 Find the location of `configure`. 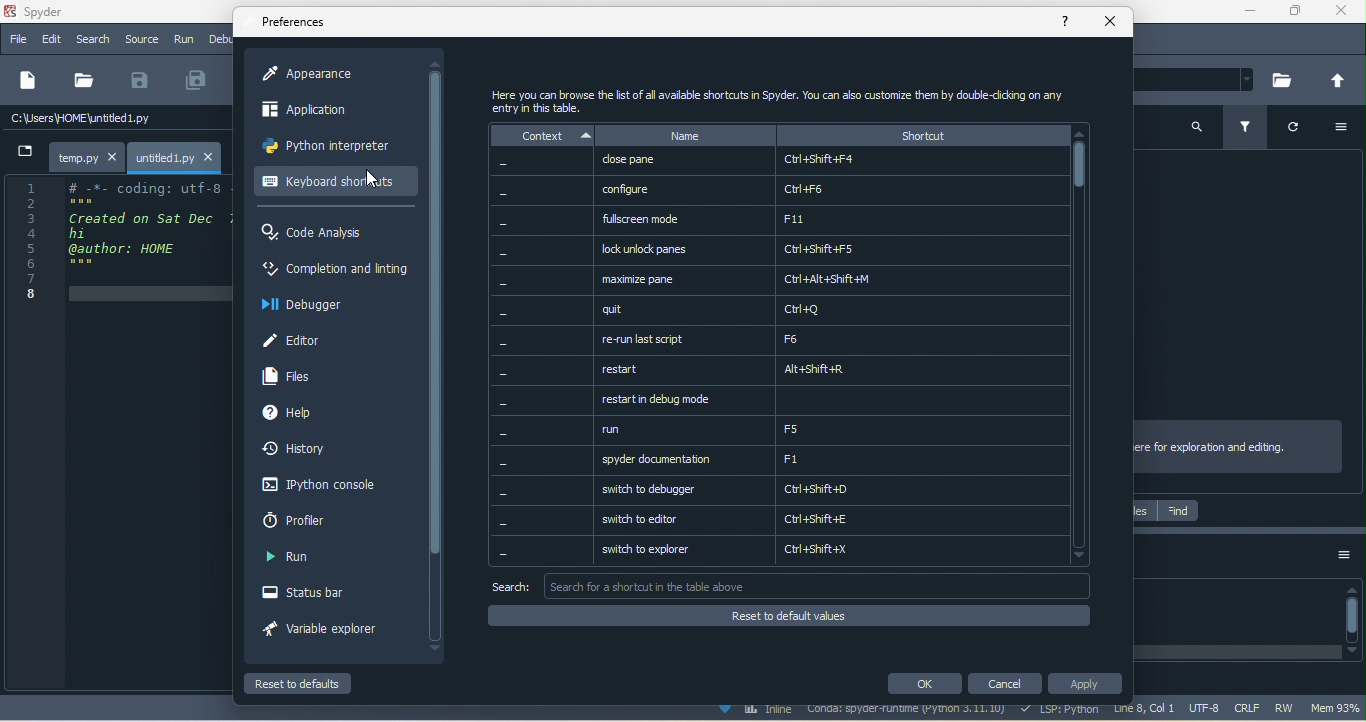

configure is located at coordinates (827, 188).